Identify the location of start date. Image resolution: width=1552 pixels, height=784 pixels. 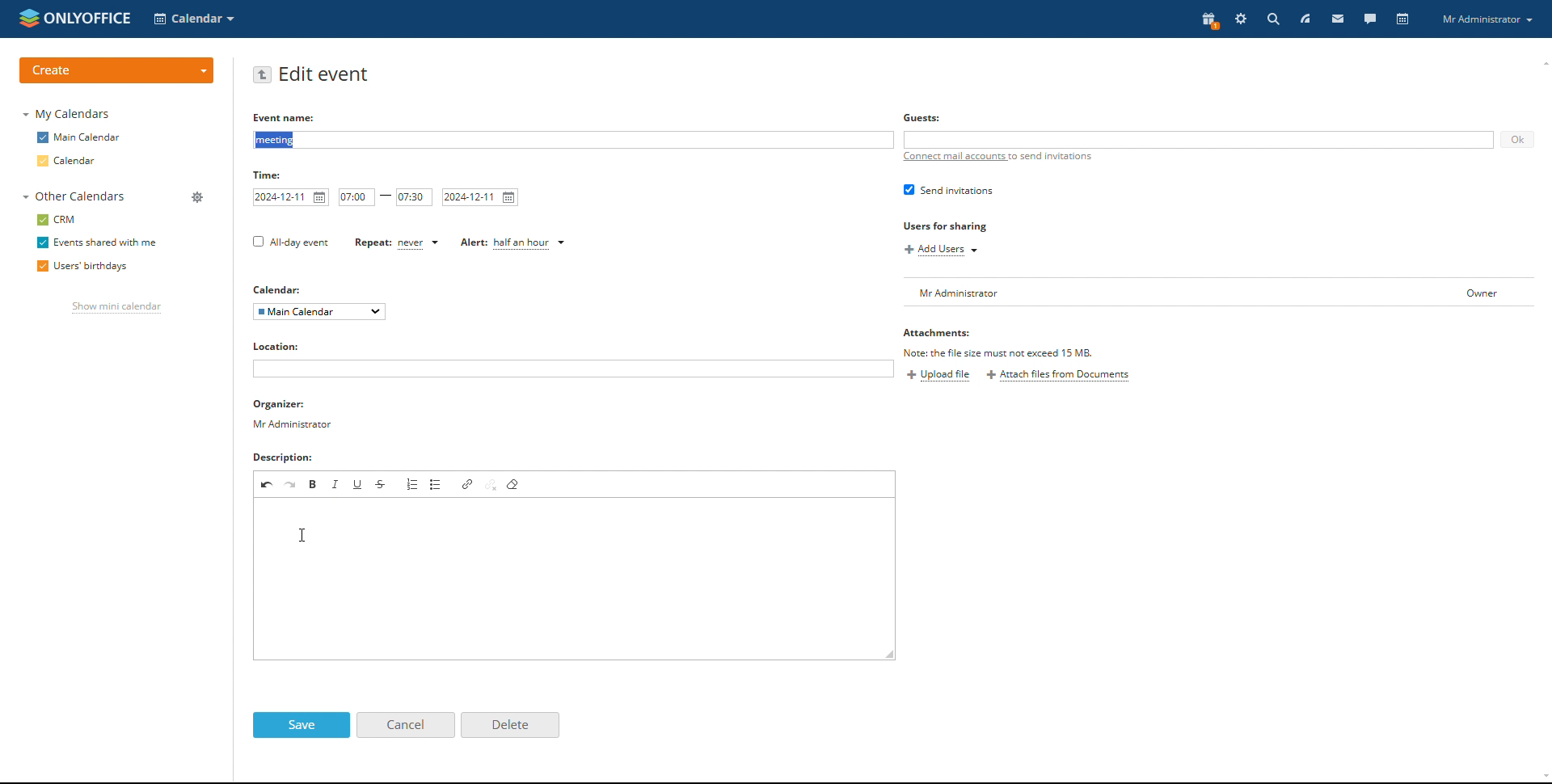
(291, 198).